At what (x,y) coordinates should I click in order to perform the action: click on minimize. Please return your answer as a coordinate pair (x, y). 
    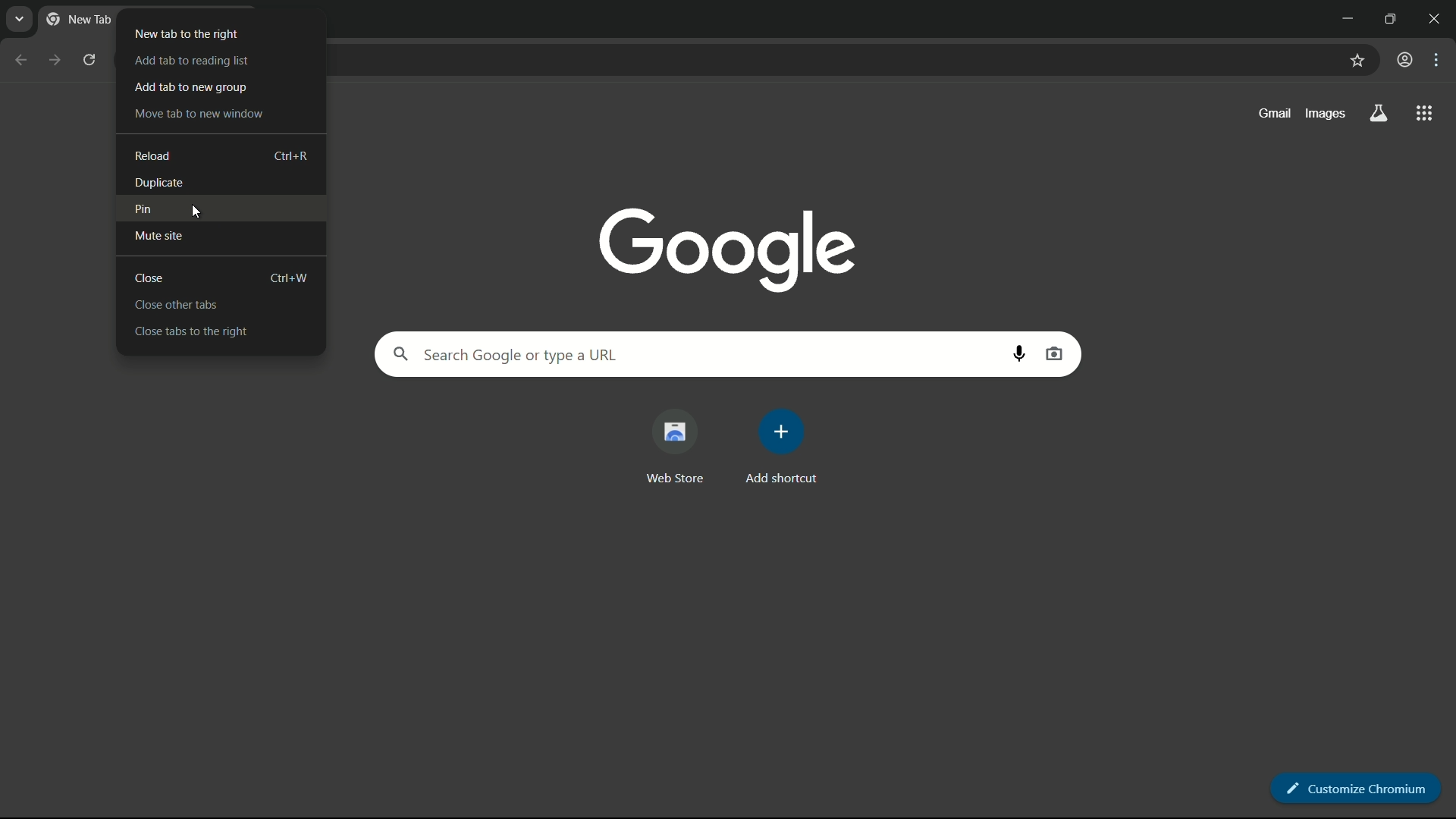
    Looking at the image, I should click on (1344, 17).